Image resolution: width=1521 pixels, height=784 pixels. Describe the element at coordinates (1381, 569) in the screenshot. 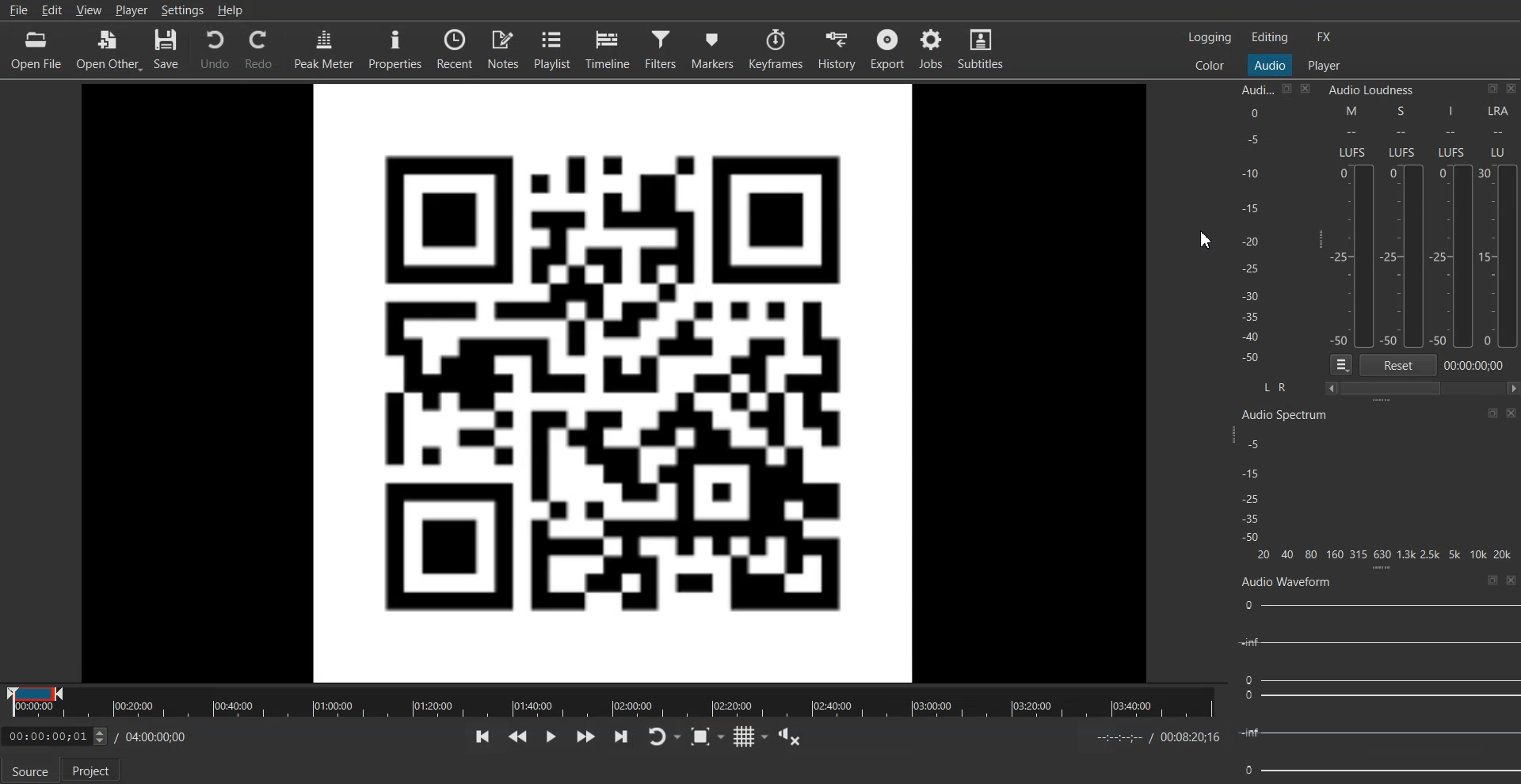

I see `Window Adjuster` at that location.